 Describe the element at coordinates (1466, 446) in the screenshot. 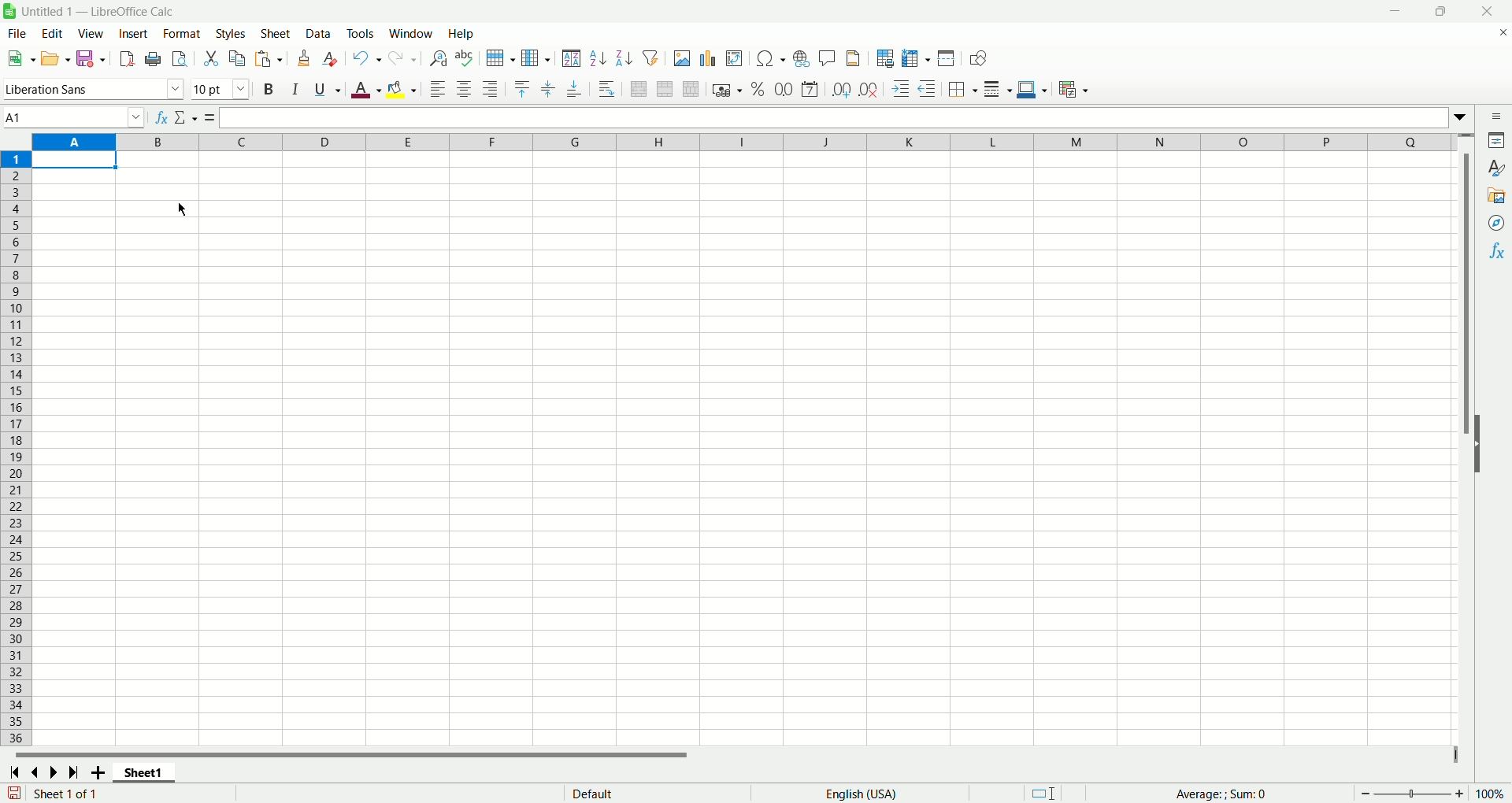

I see `vertical scroll bar` at that location.